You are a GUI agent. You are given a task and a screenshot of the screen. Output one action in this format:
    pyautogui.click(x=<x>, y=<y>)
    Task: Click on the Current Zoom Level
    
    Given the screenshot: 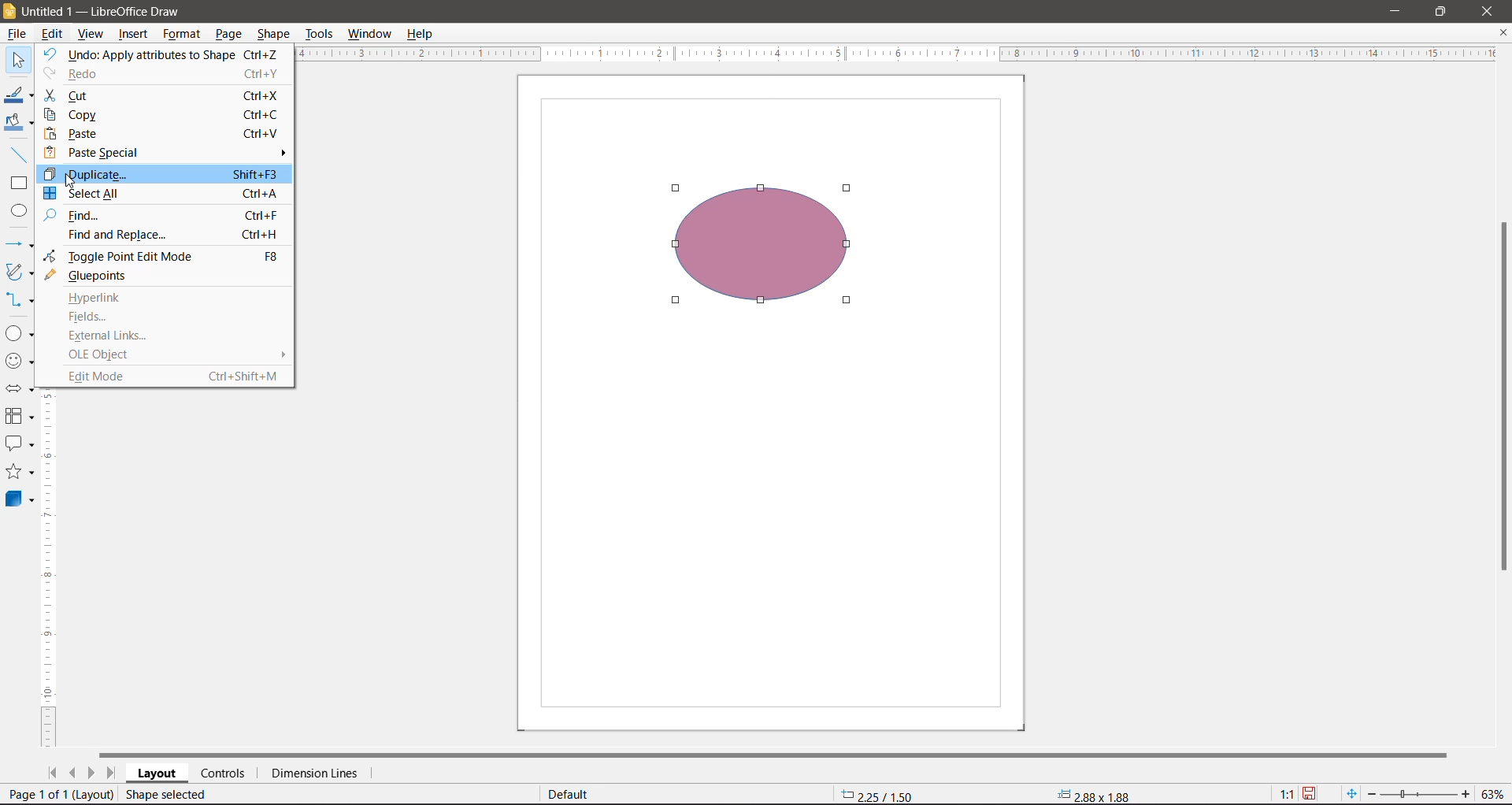 What is the action you would take?
    pyautogui.click(x=1492, y=795)
    